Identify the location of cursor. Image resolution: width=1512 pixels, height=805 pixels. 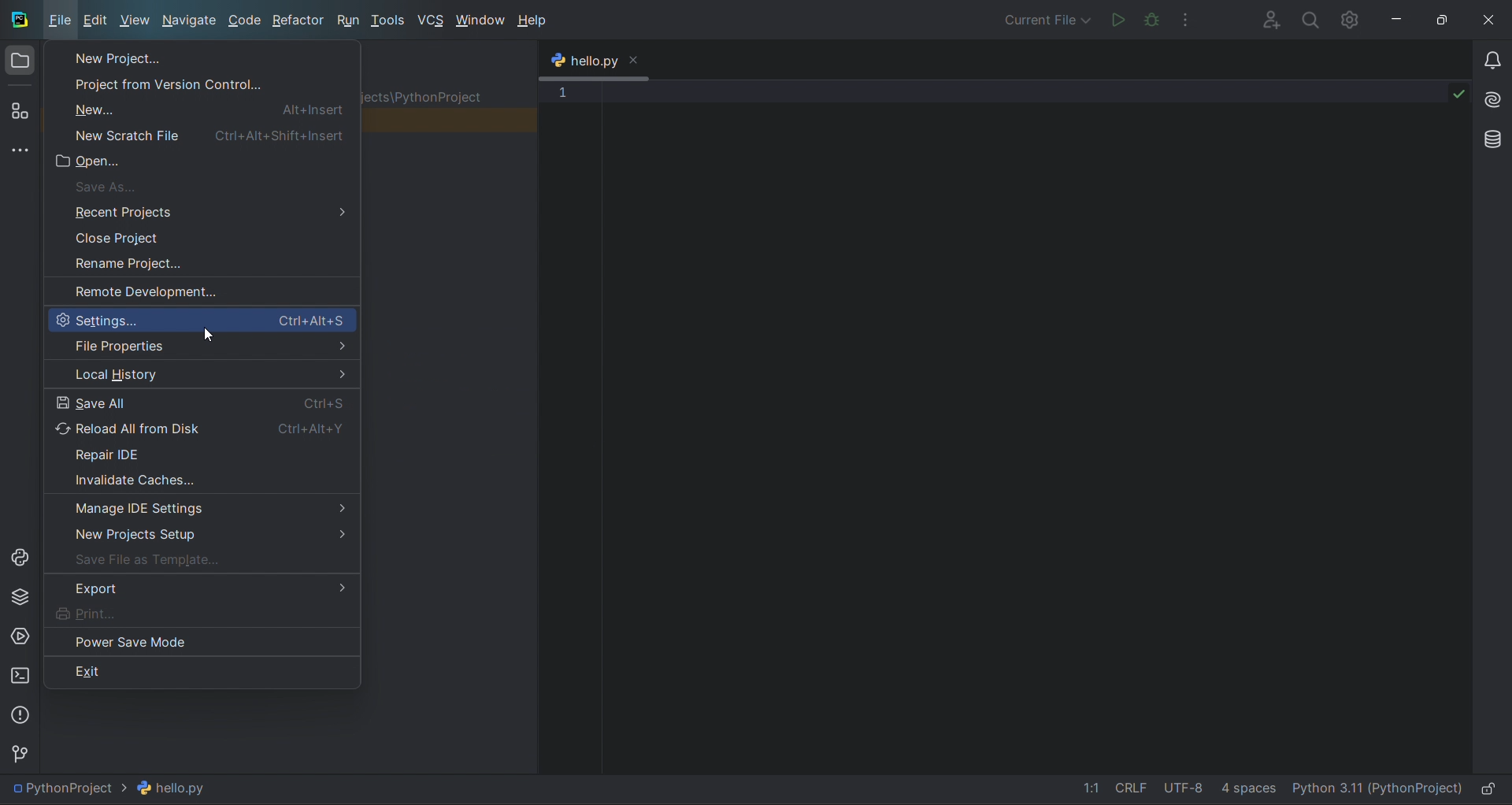
(210, 338).